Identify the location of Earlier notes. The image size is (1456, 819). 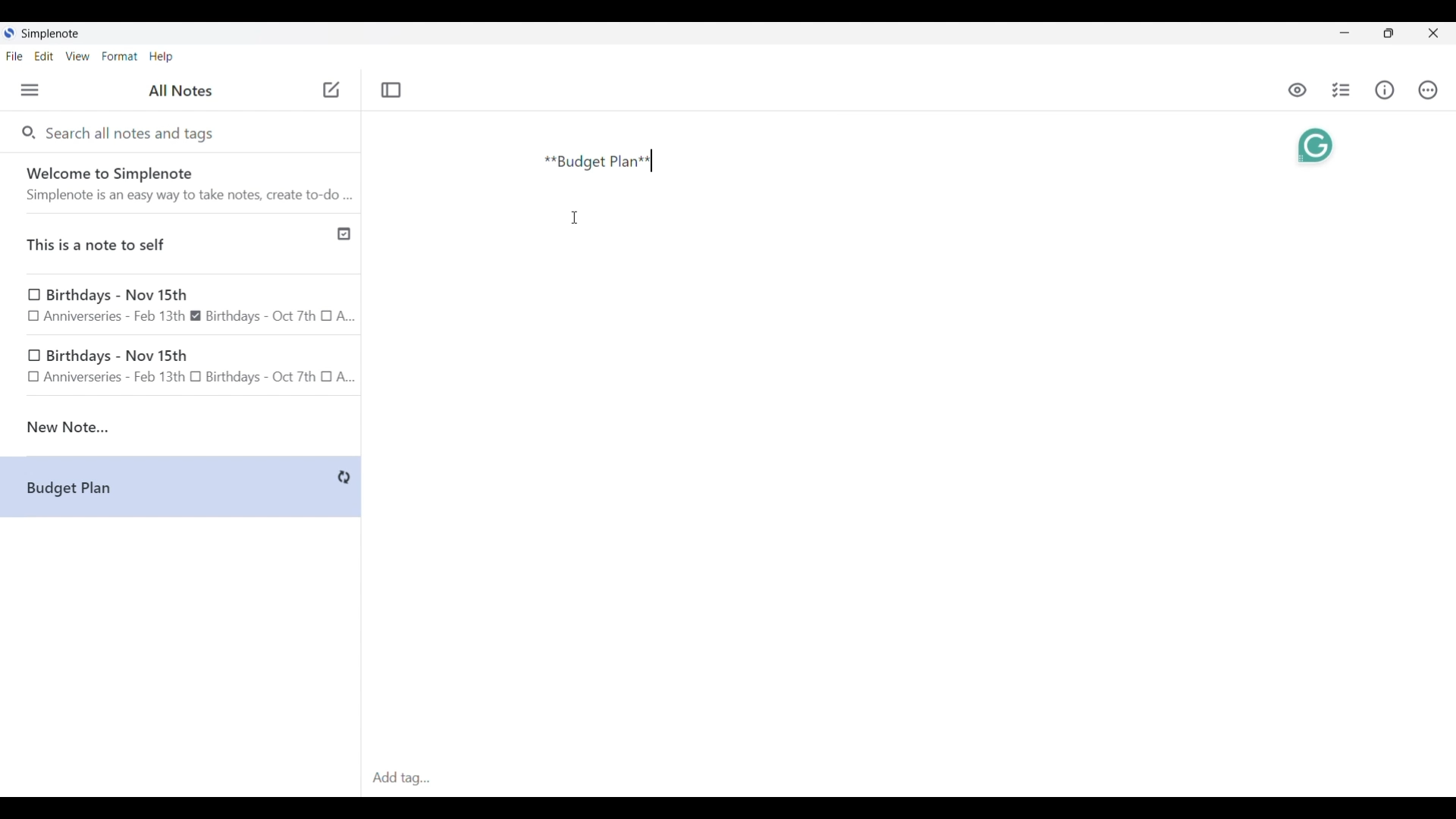
(181, 306).